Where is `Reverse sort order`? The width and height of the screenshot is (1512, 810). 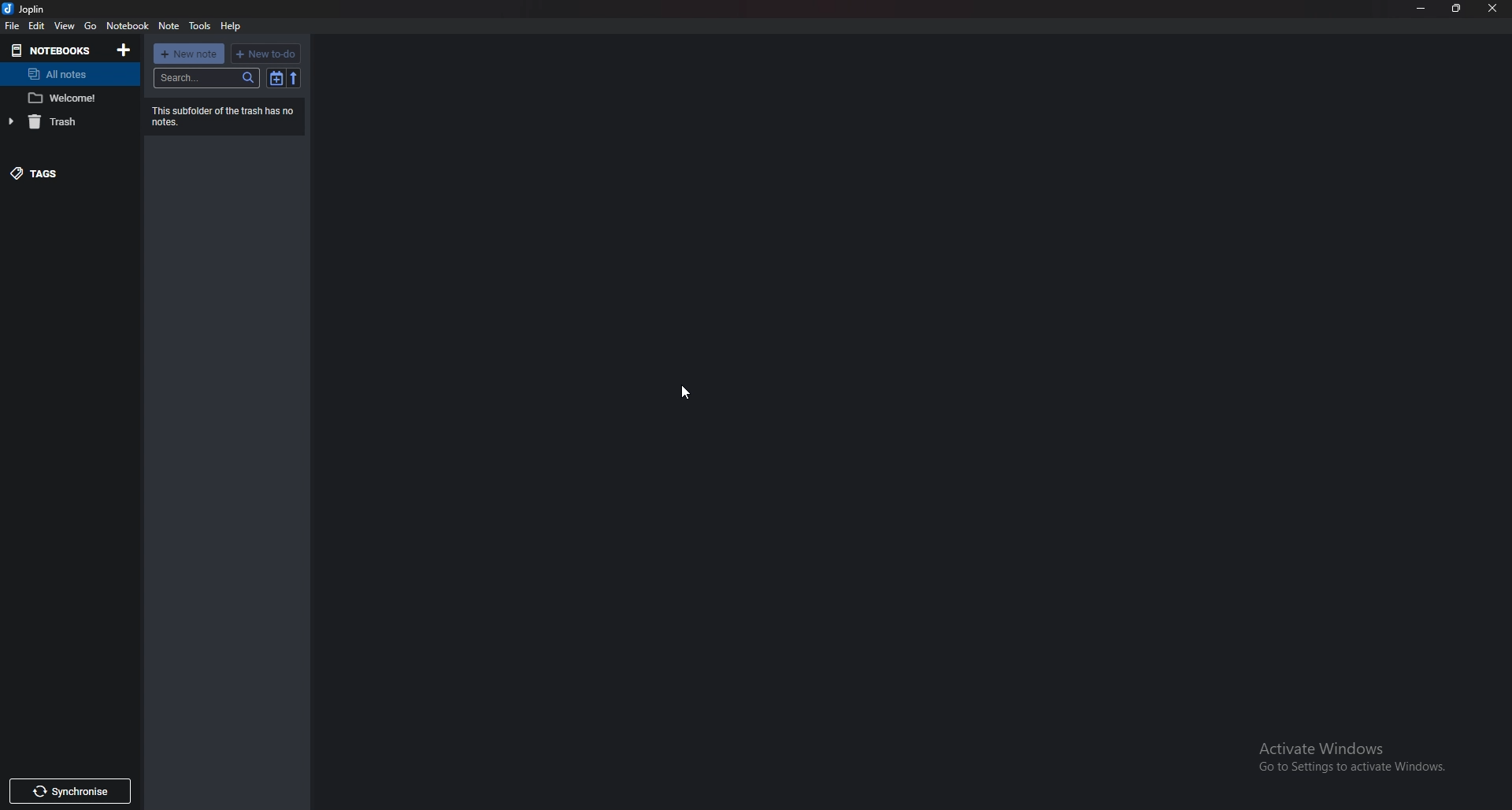
Reverse sort order is located at coordinates (295, 80).